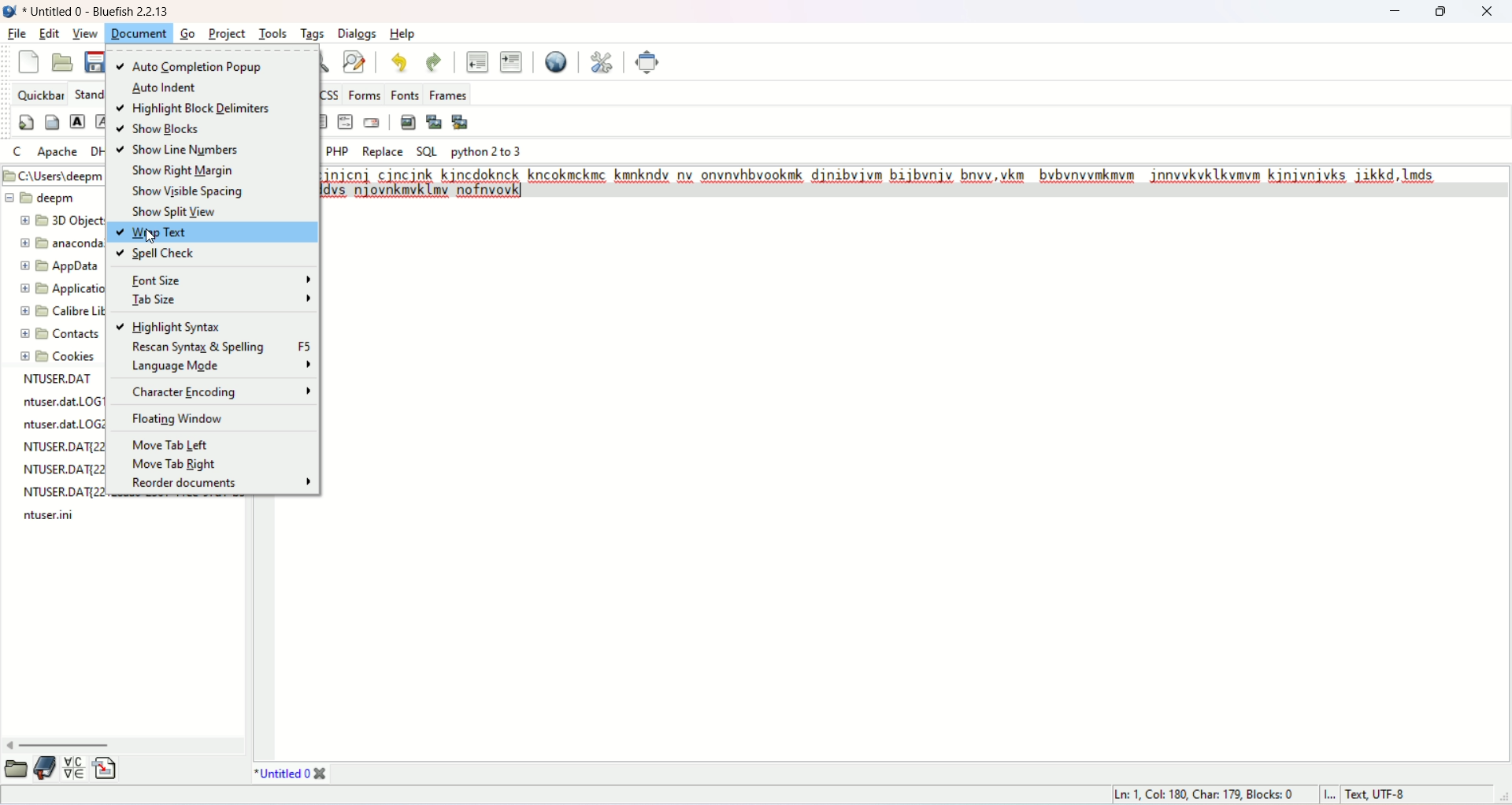 This screenshot has height=805, width=1512. Describe the element at coordinates (511, 61) in the screenshot. I see `indent` at that location.